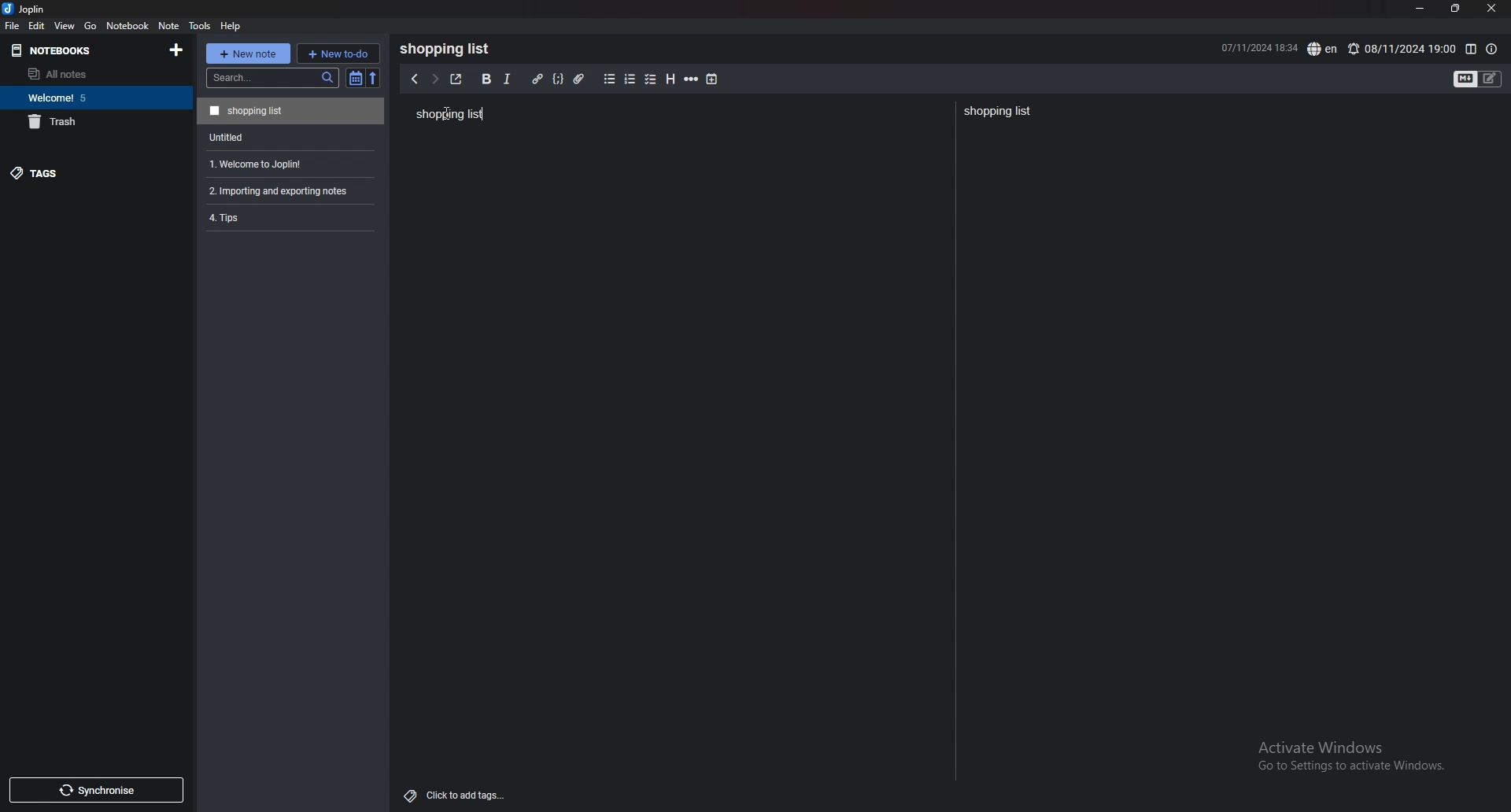  What do you see at coordinates (376, 78) in the screenshot?
I see `reverse sort order` at bounding box center [376, 78].